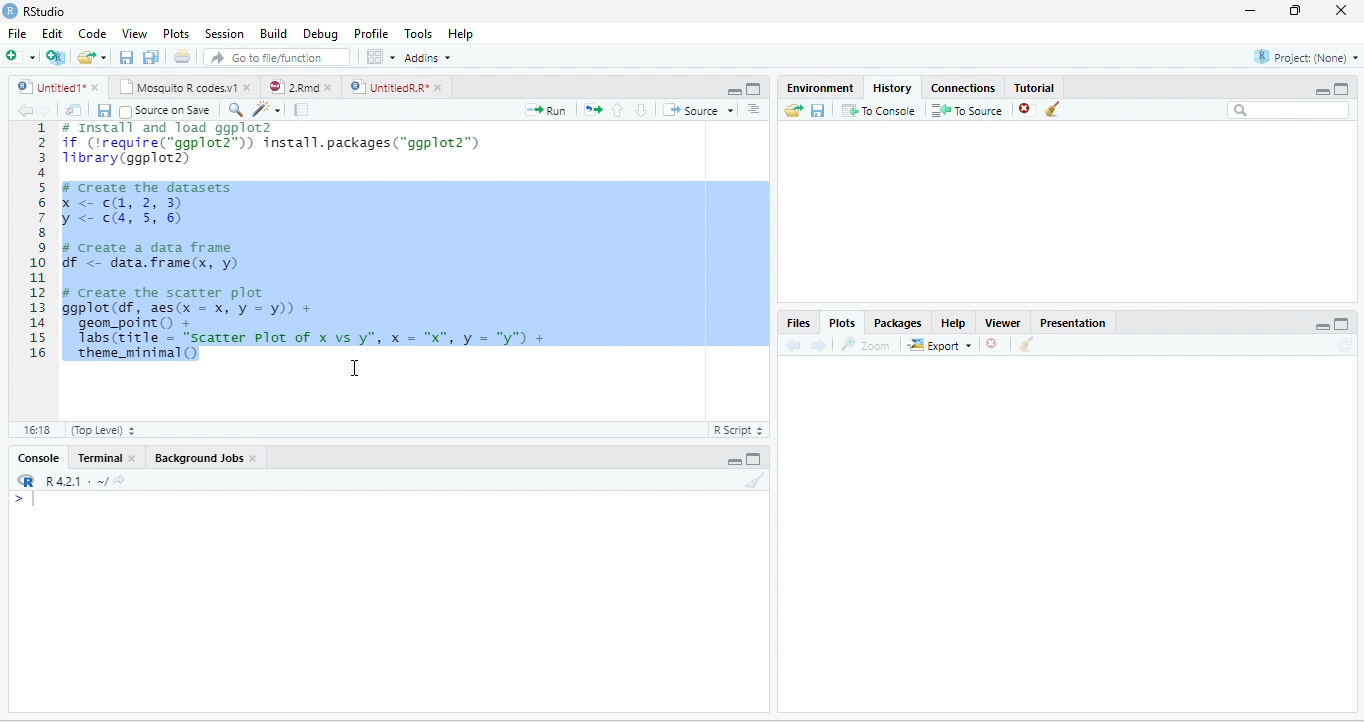 This screenshot has width=1364, height=722. Describe the element at coordinates (818, 111) in the screenshot. I see `Save history into a file` at that location.